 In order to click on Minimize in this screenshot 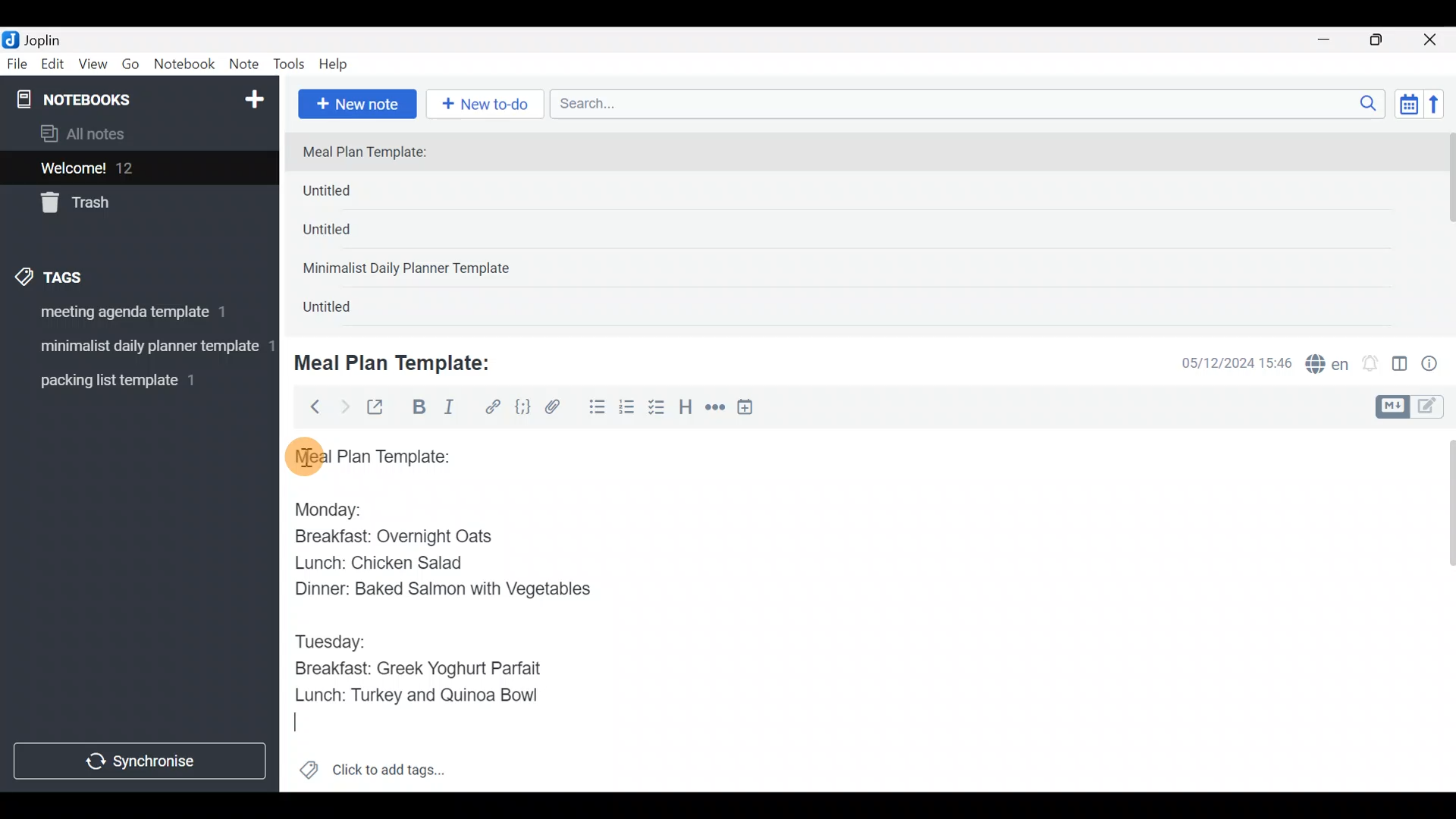, I will do `click(1332, 38)`.